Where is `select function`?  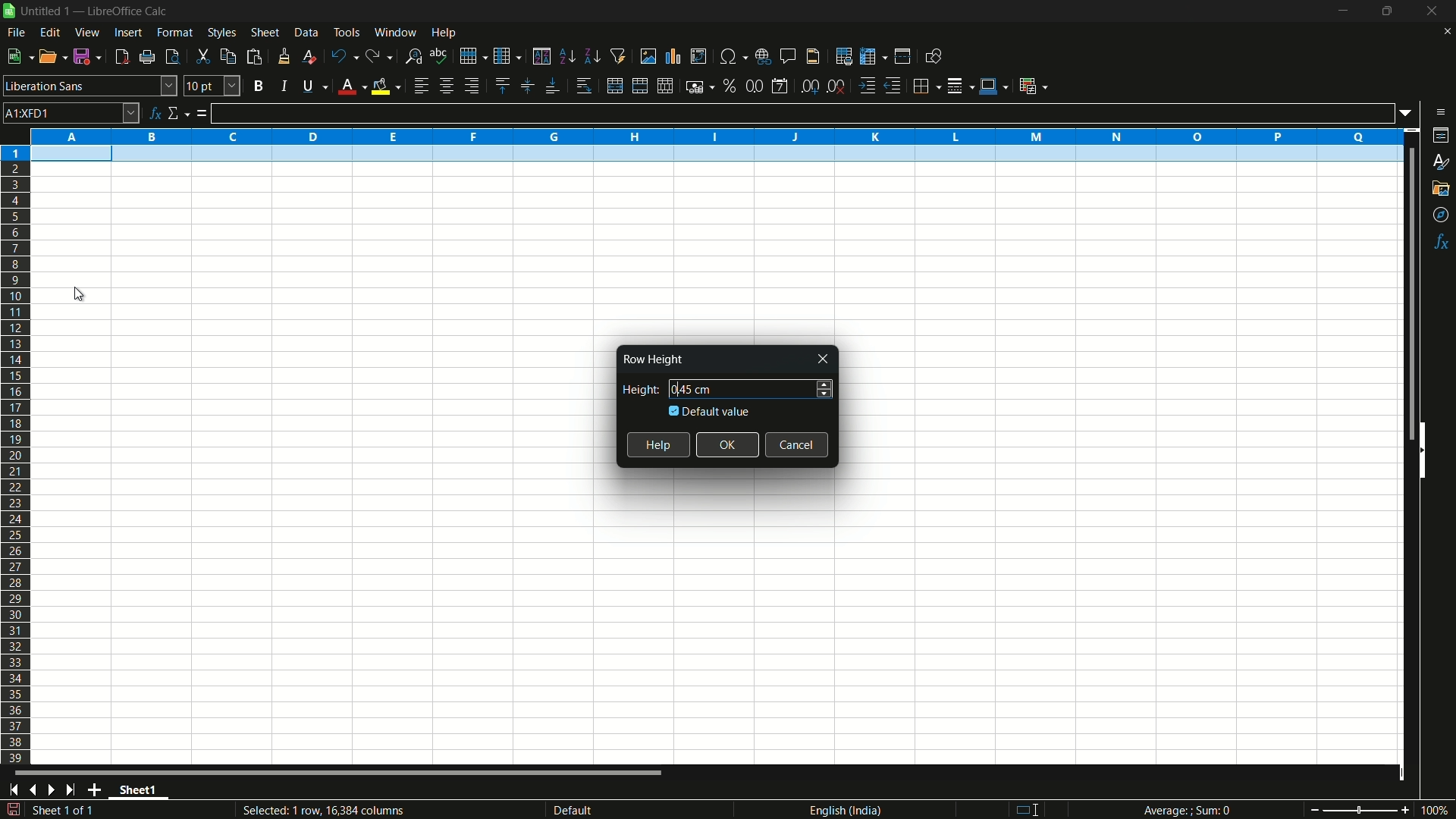
select function is located at coordinates (178, 114).